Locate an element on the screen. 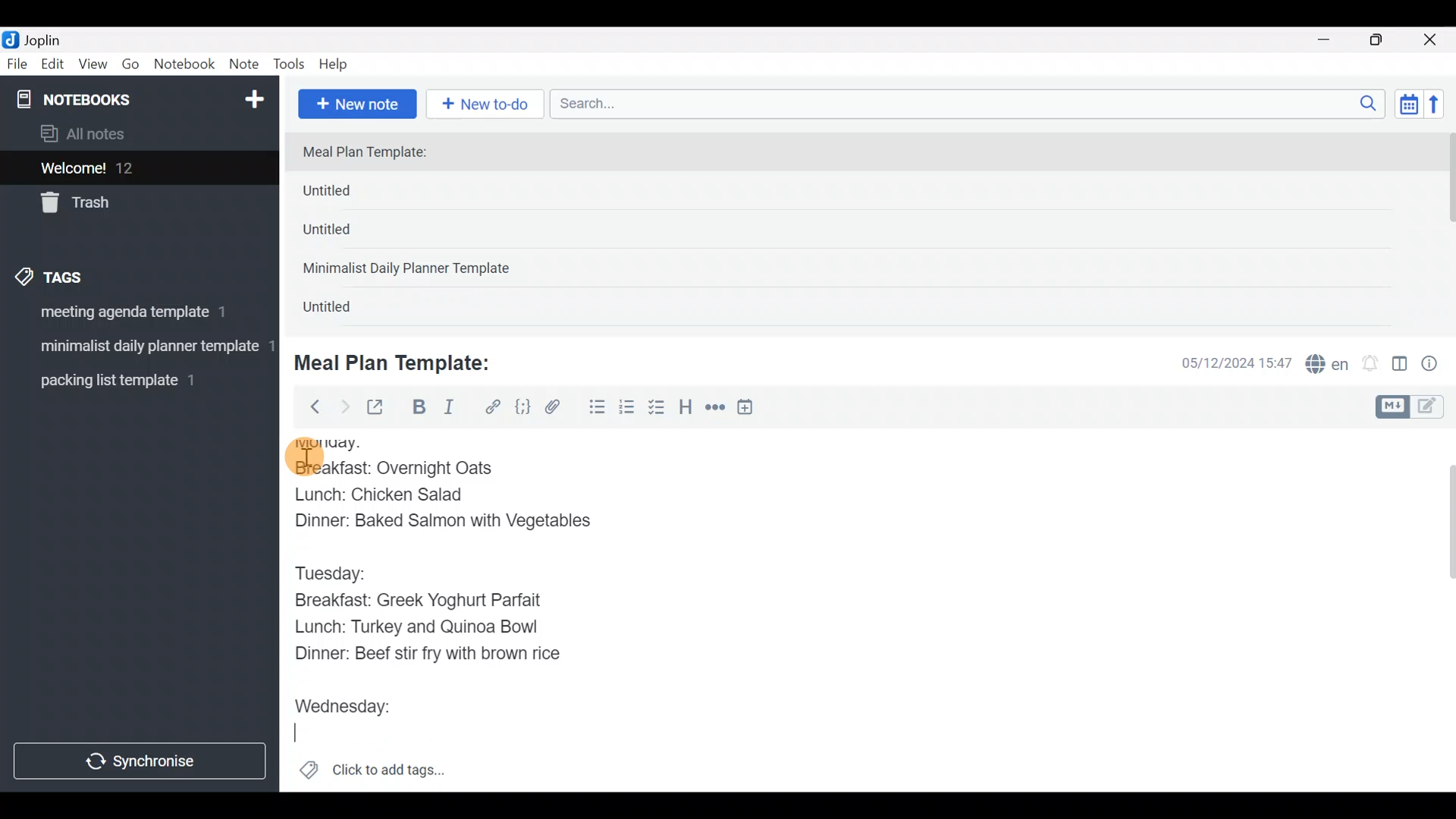 This screenshot has width=1456, height=819. Scroll bar is located at coordinates (1440, 610).